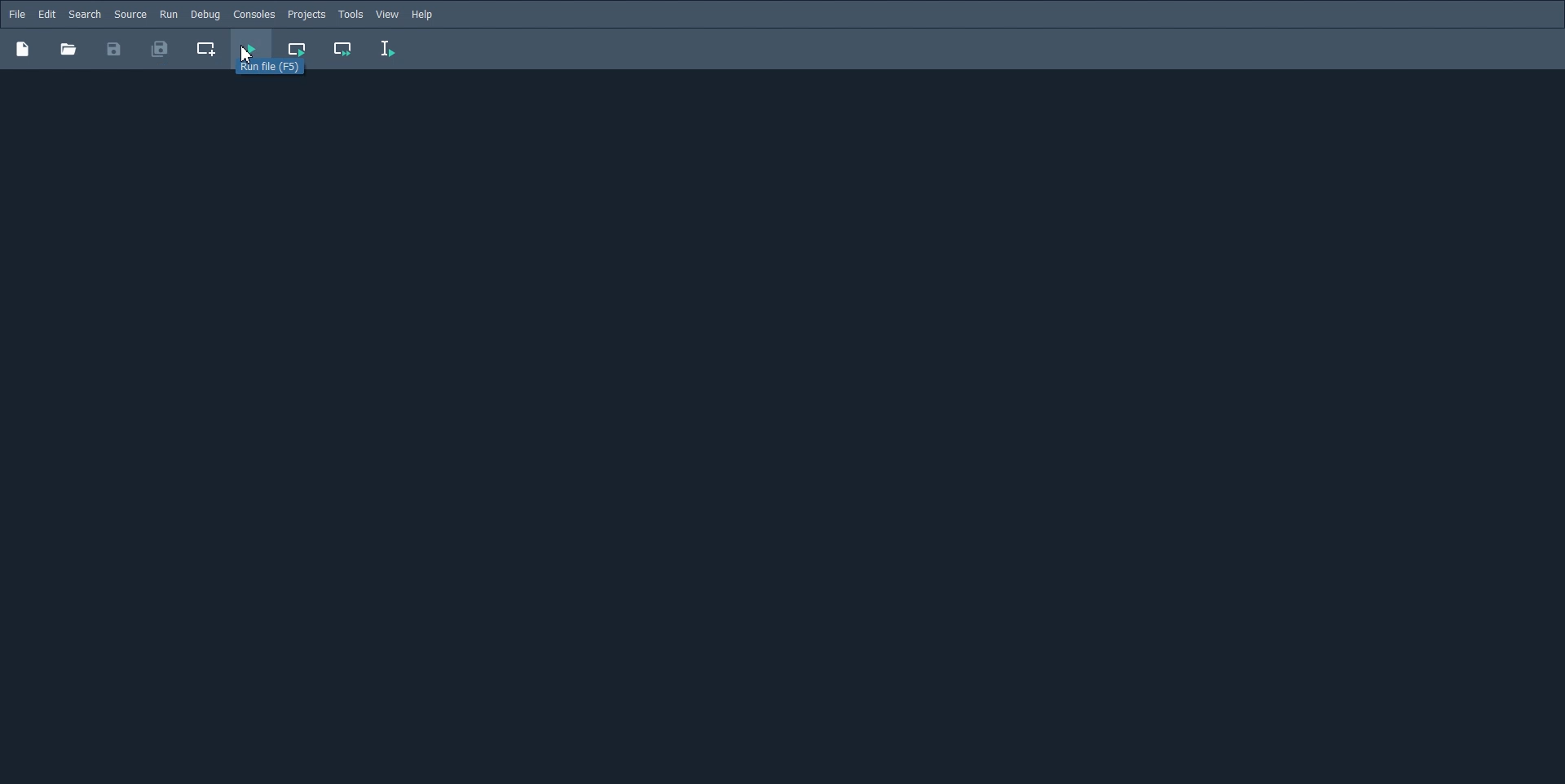 The height and width of the screenshot is (784, 1565). What do you see at coordinates (68, 49) in the screenshot?
I see `` at bounding box center [68, 49].